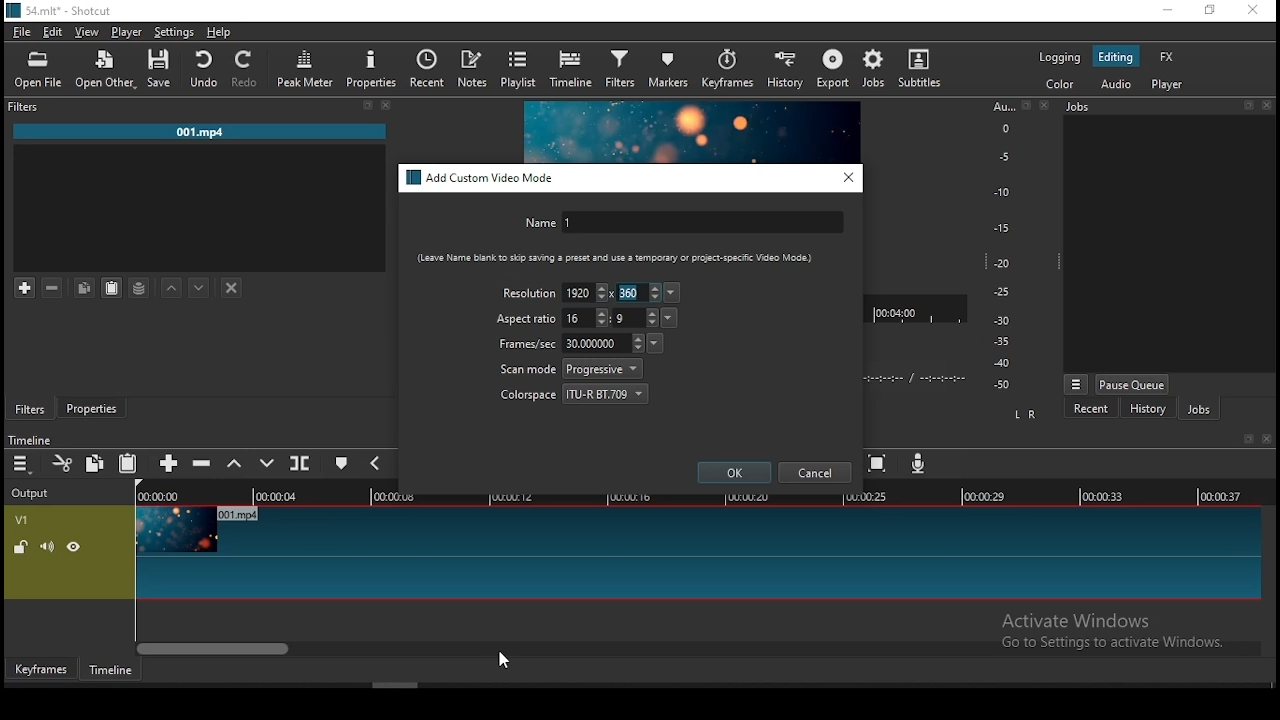 This screenshot has height=720, width=1280. I want to click on restore, so click(367, 106).